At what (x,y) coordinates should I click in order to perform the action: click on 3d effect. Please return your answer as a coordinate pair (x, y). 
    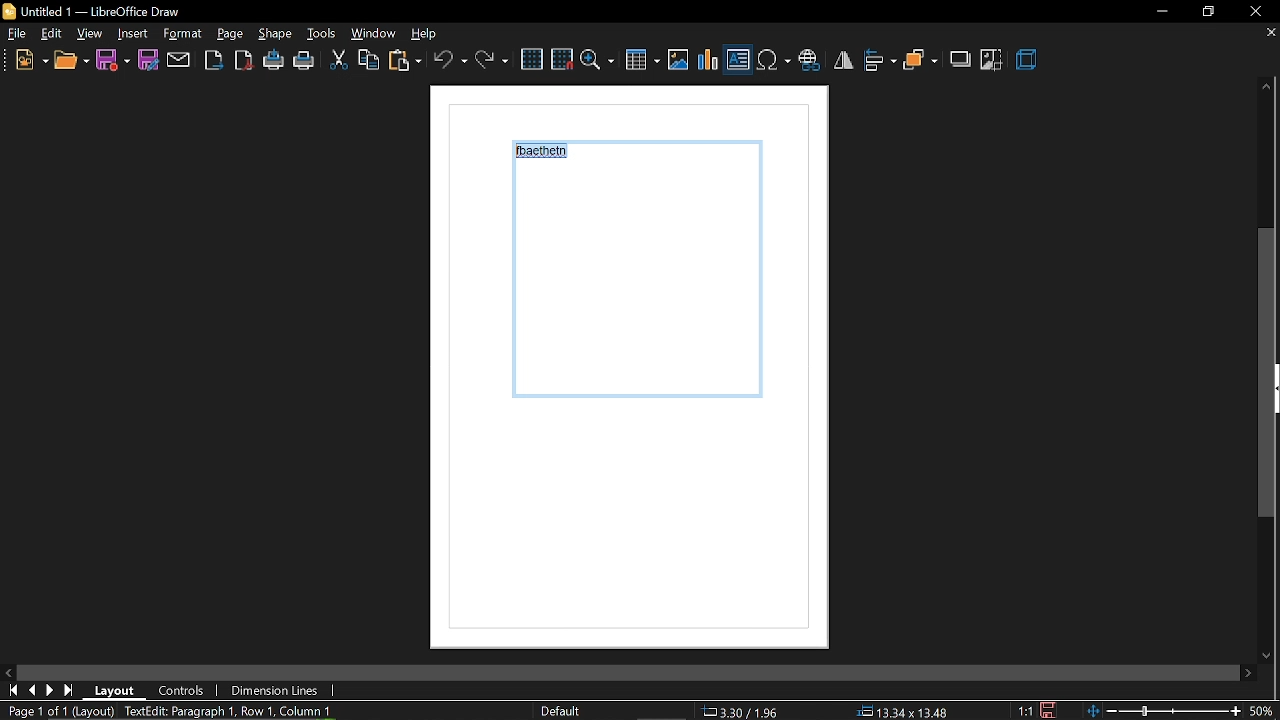
    Looking at the image, I should click on (1028, 61).